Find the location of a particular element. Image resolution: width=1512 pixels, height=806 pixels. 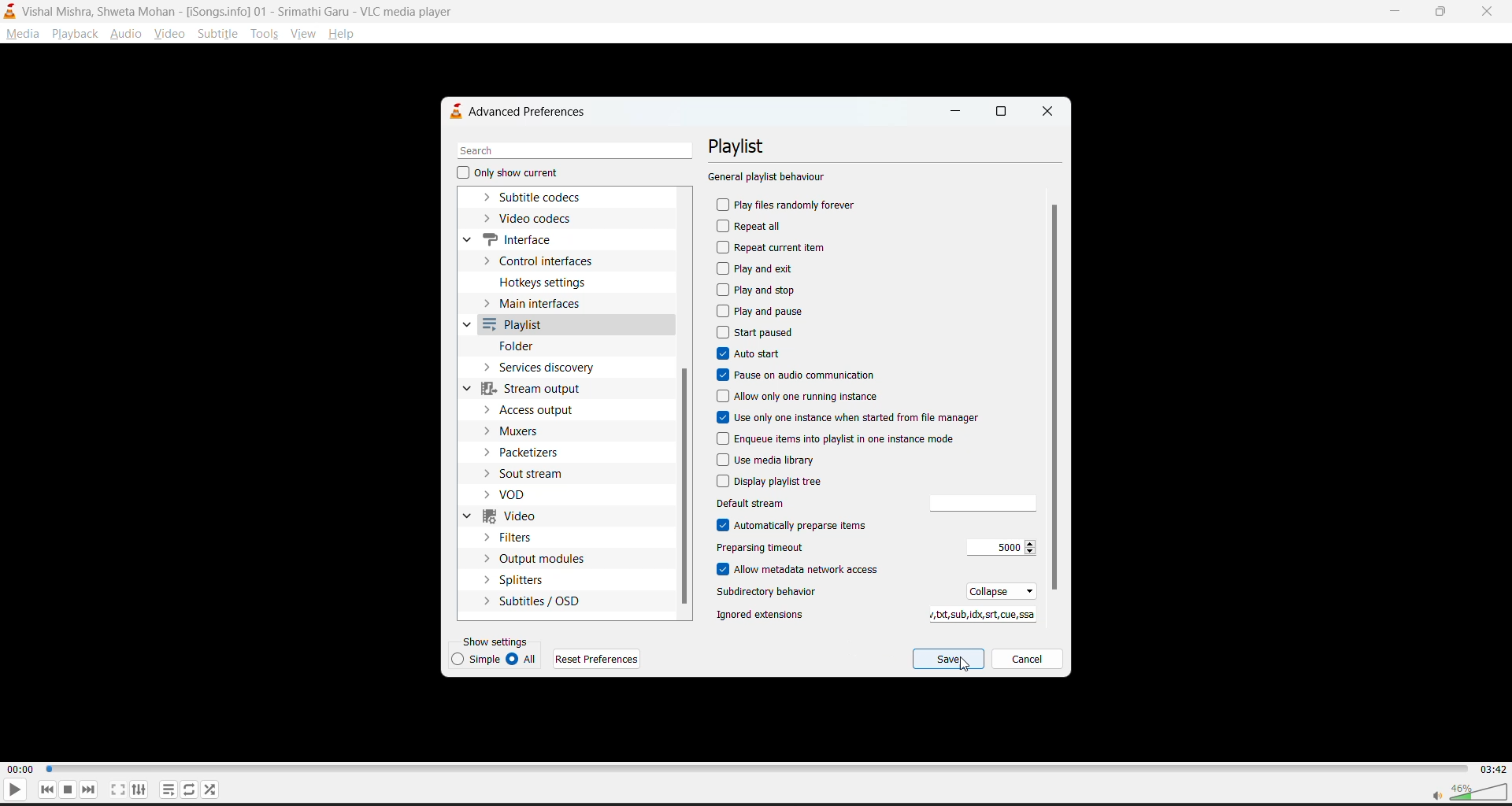

only show current is located at coordinates (512, 176).